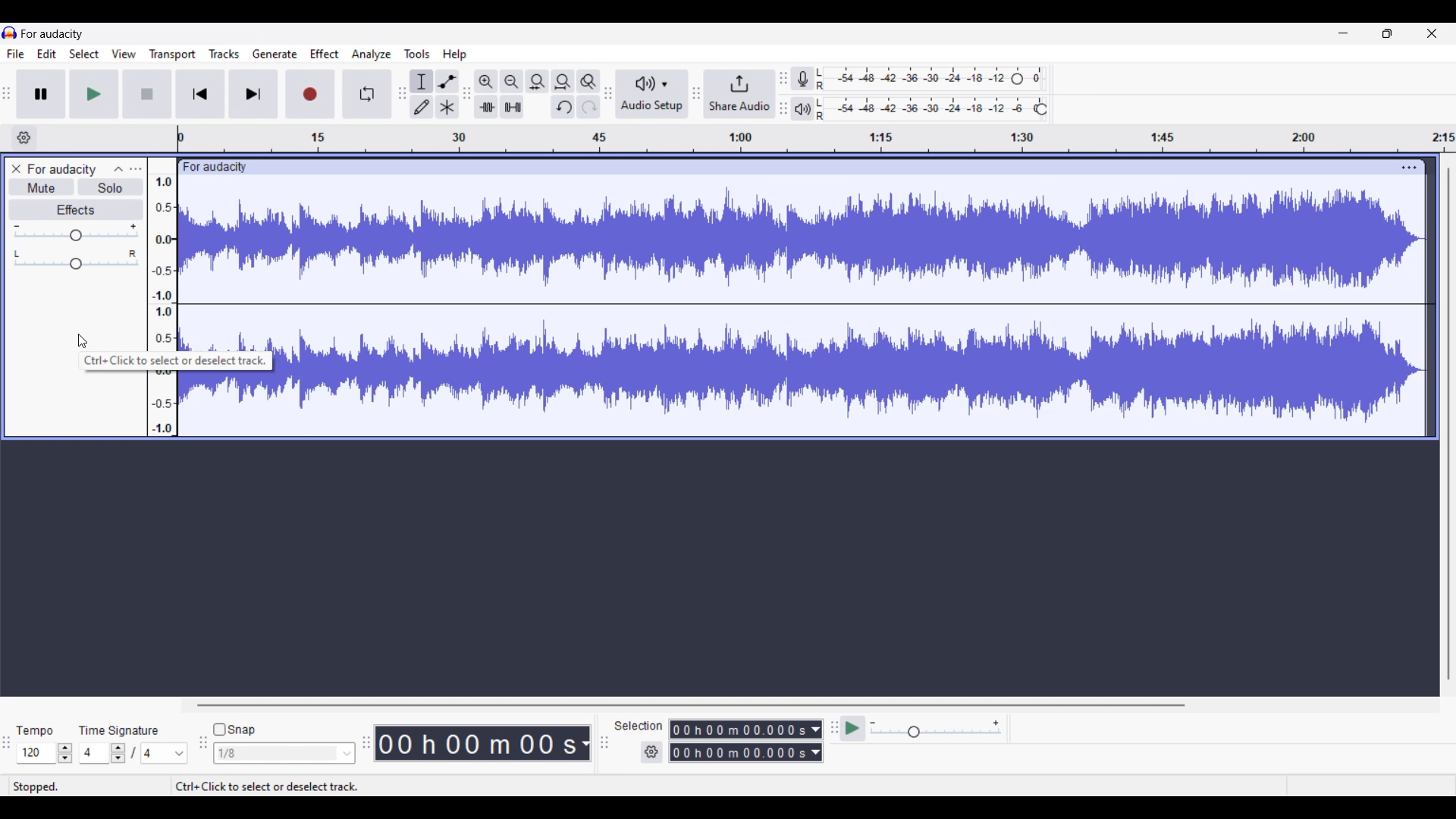 Image resolution: width=1456 pixels, height=819 pixels. What do you see at coordinates (475, 743) in the screenshot?
I see `Current duration of track` at bounding box center [475, 743].